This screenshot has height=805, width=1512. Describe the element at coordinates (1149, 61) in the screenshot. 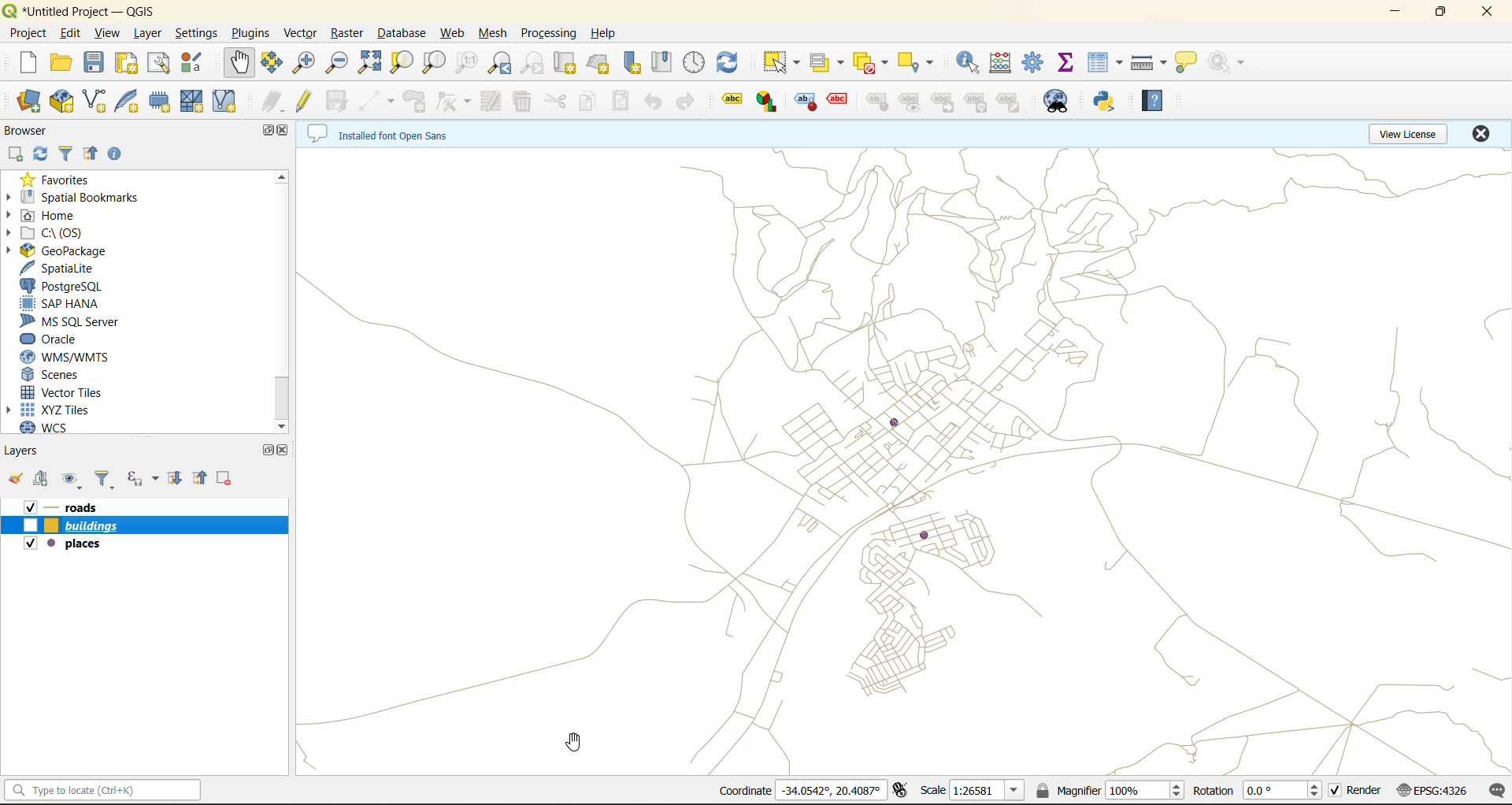

I see `measure line` at that location.